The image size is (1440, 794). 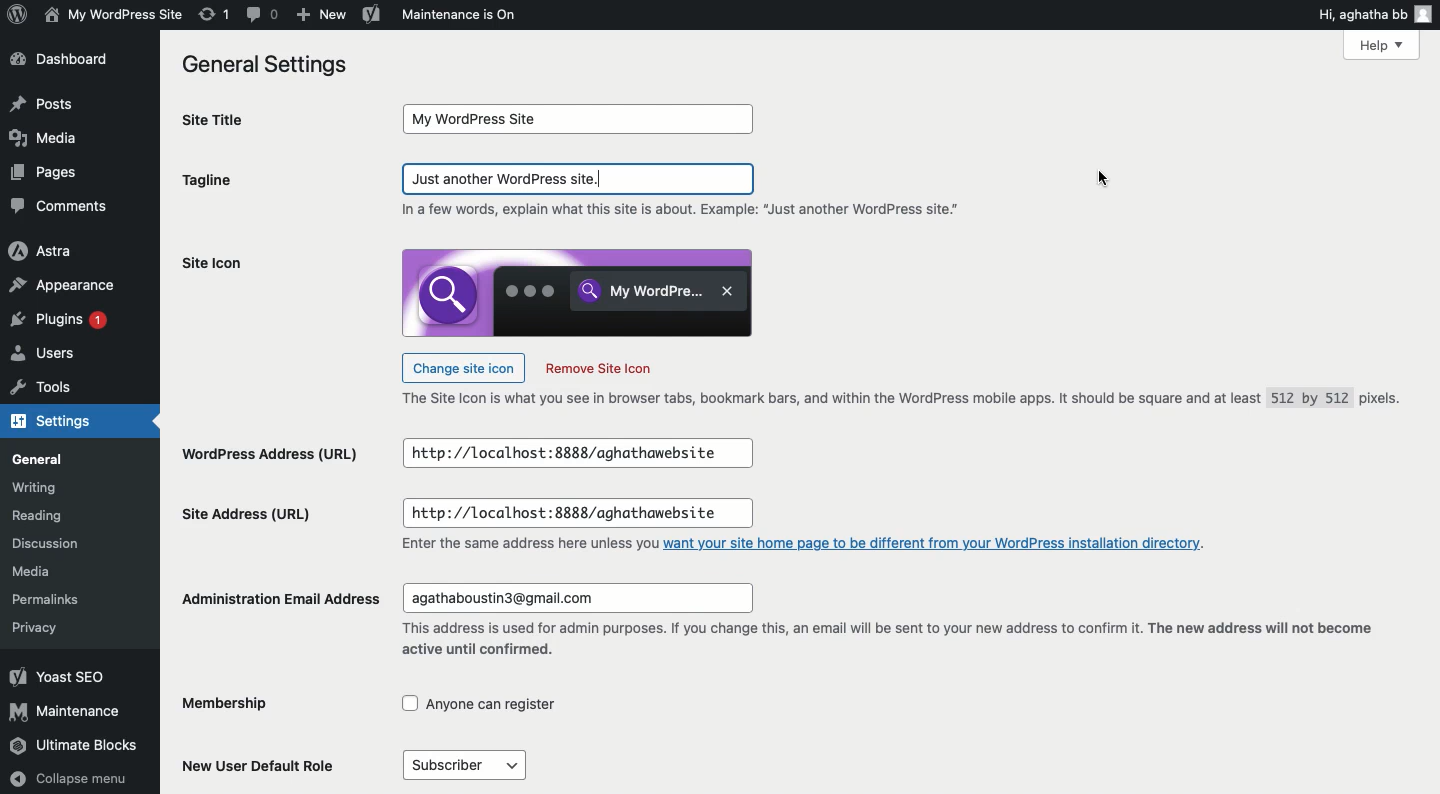 What do you see at coordinates (215, 14) in the screenshot?
I see `Revision` at bounding box center [215, 14].